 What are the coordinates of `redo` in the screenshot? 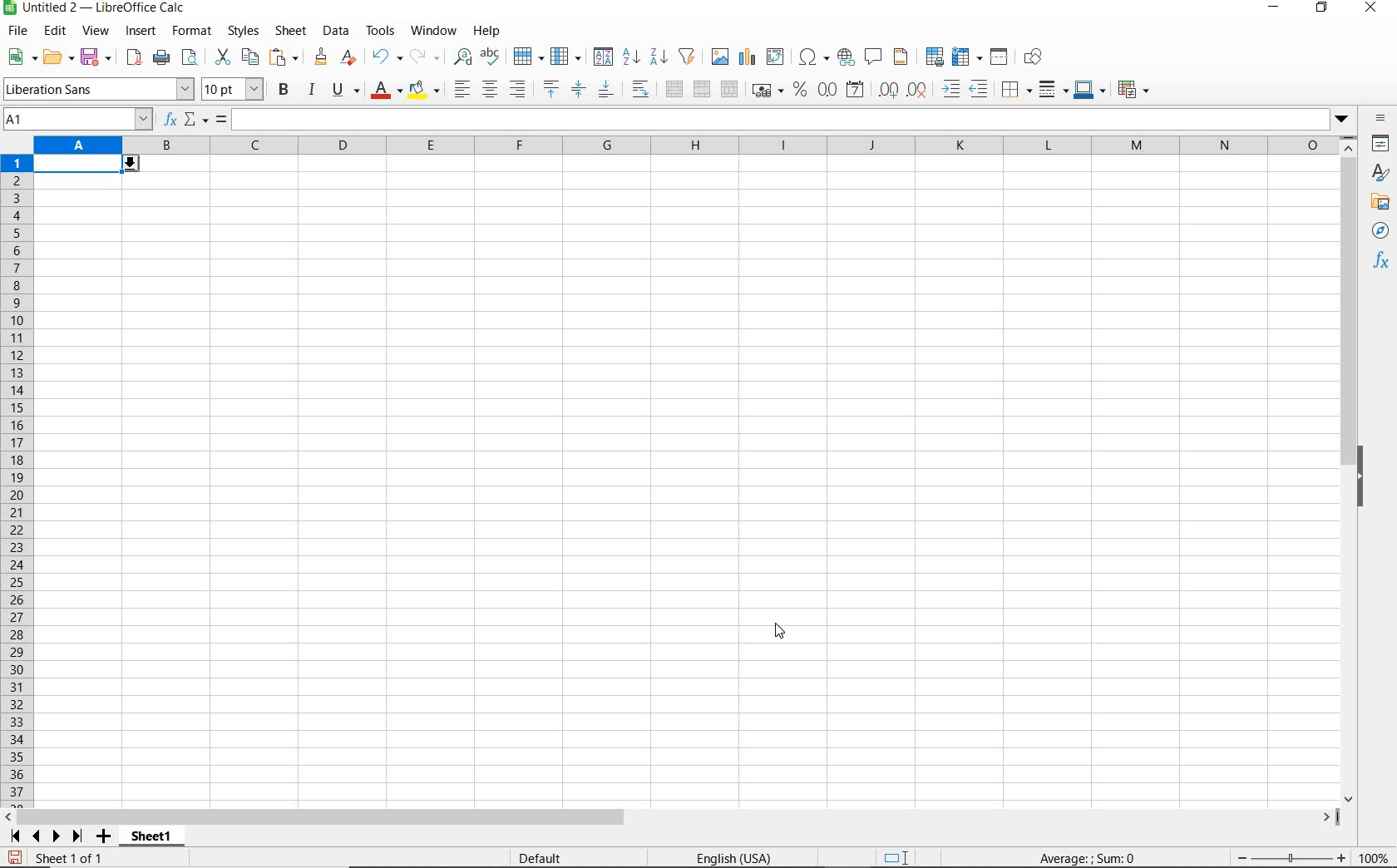 It's located at (424, 57).